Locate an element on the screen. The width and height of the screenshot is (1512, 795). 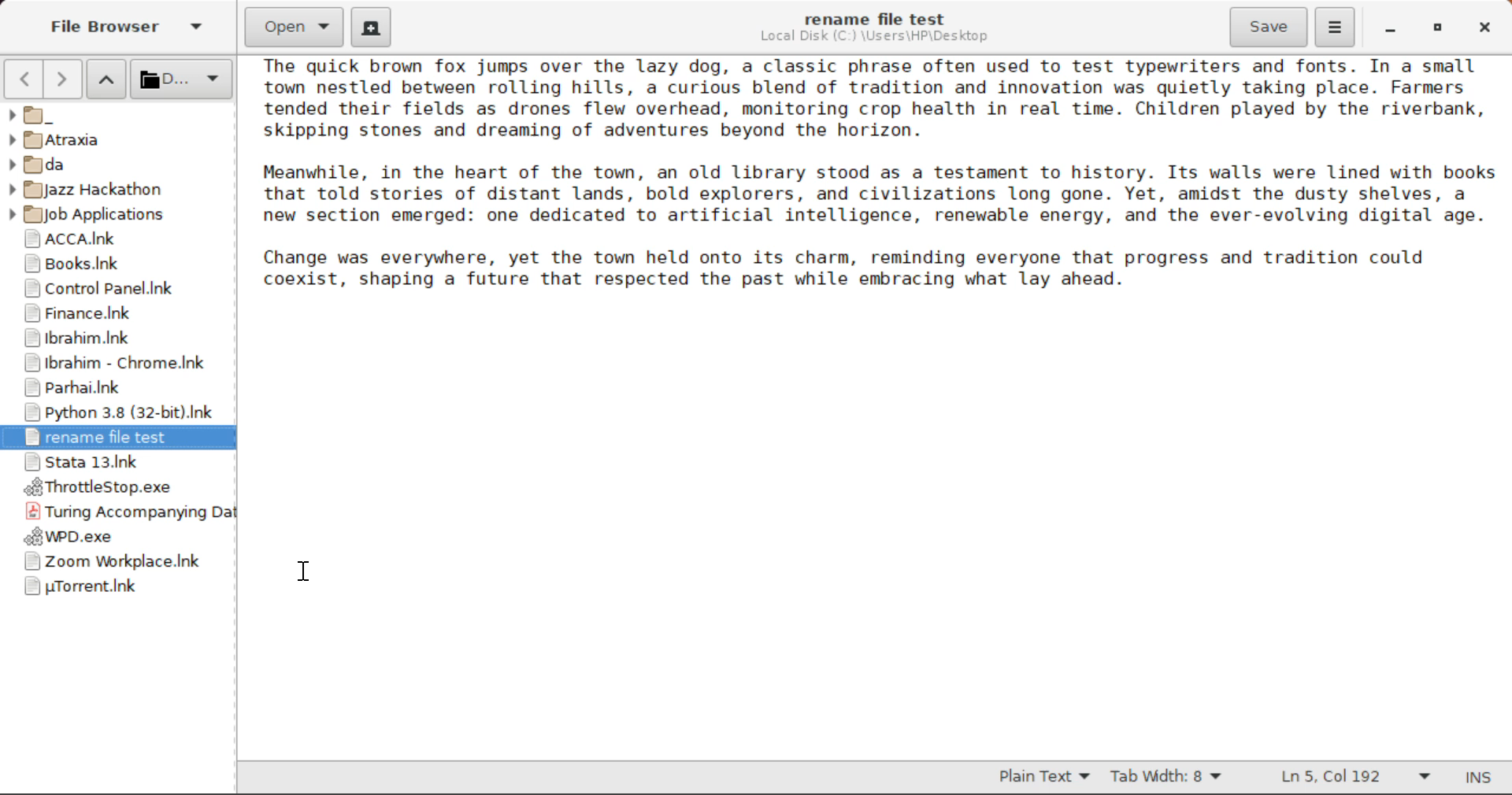
Save is located at coordinates (1270, 28).